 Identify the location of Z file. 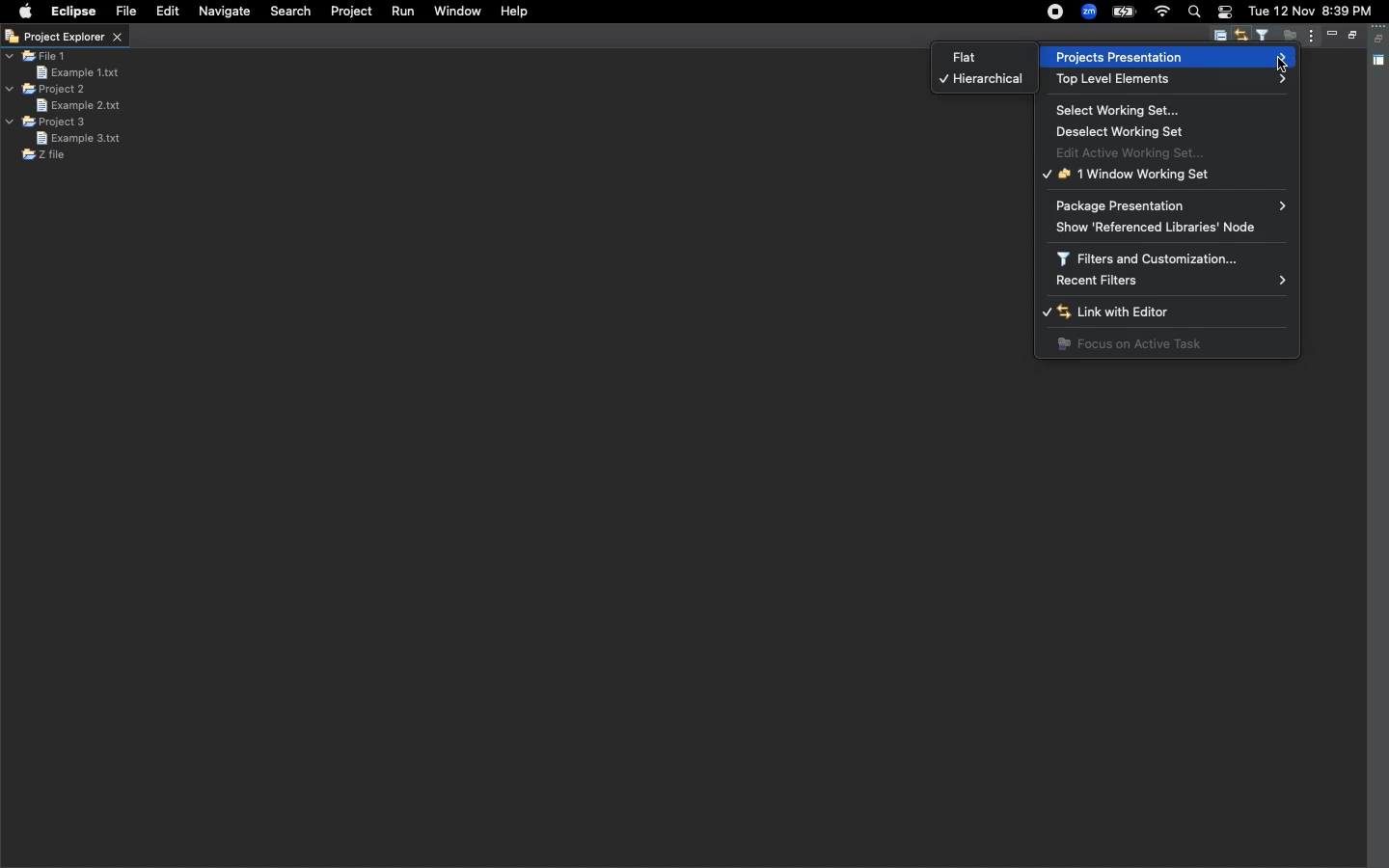
(43, 155).